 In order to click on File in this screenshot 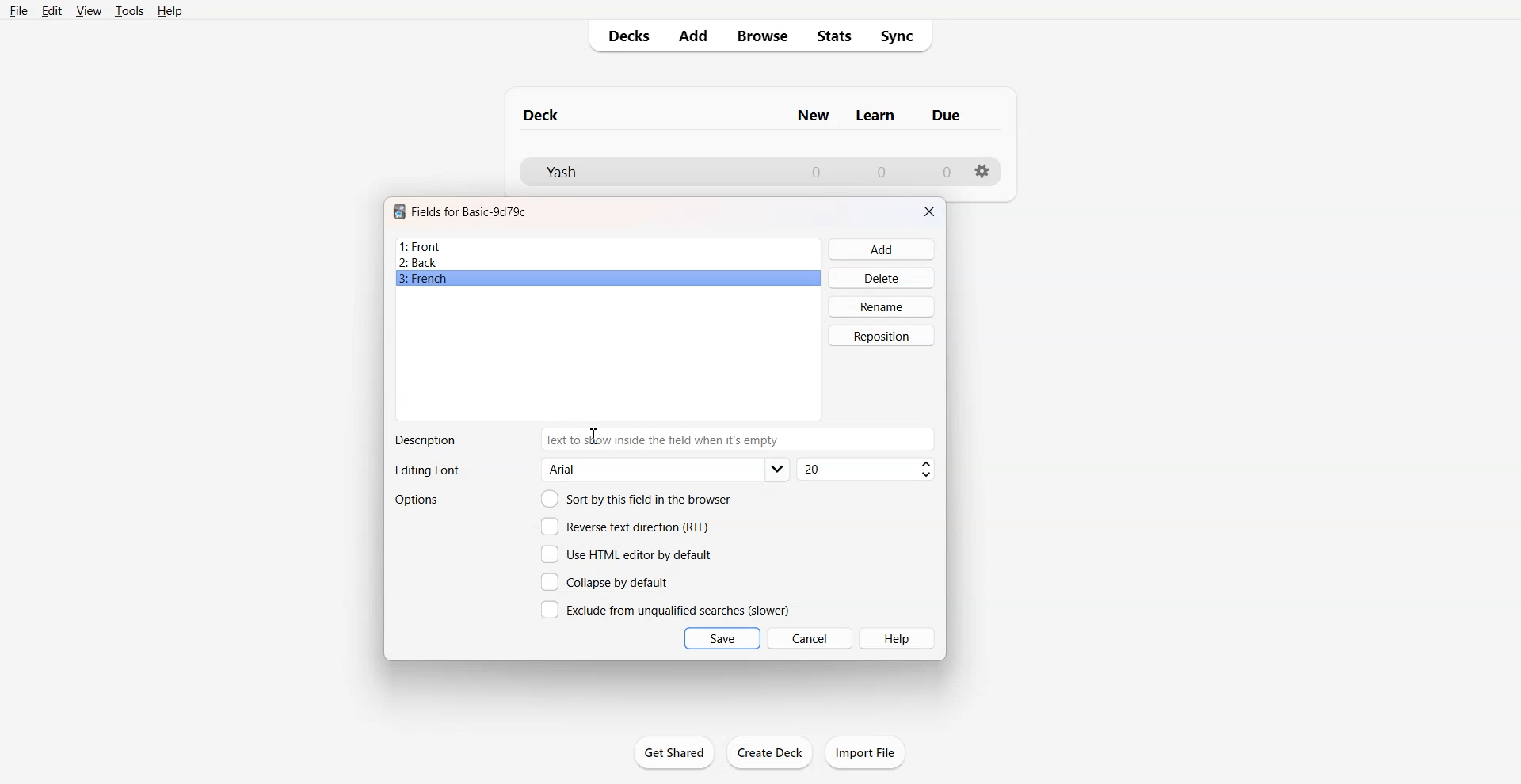, I will do `click(17, 10)`.